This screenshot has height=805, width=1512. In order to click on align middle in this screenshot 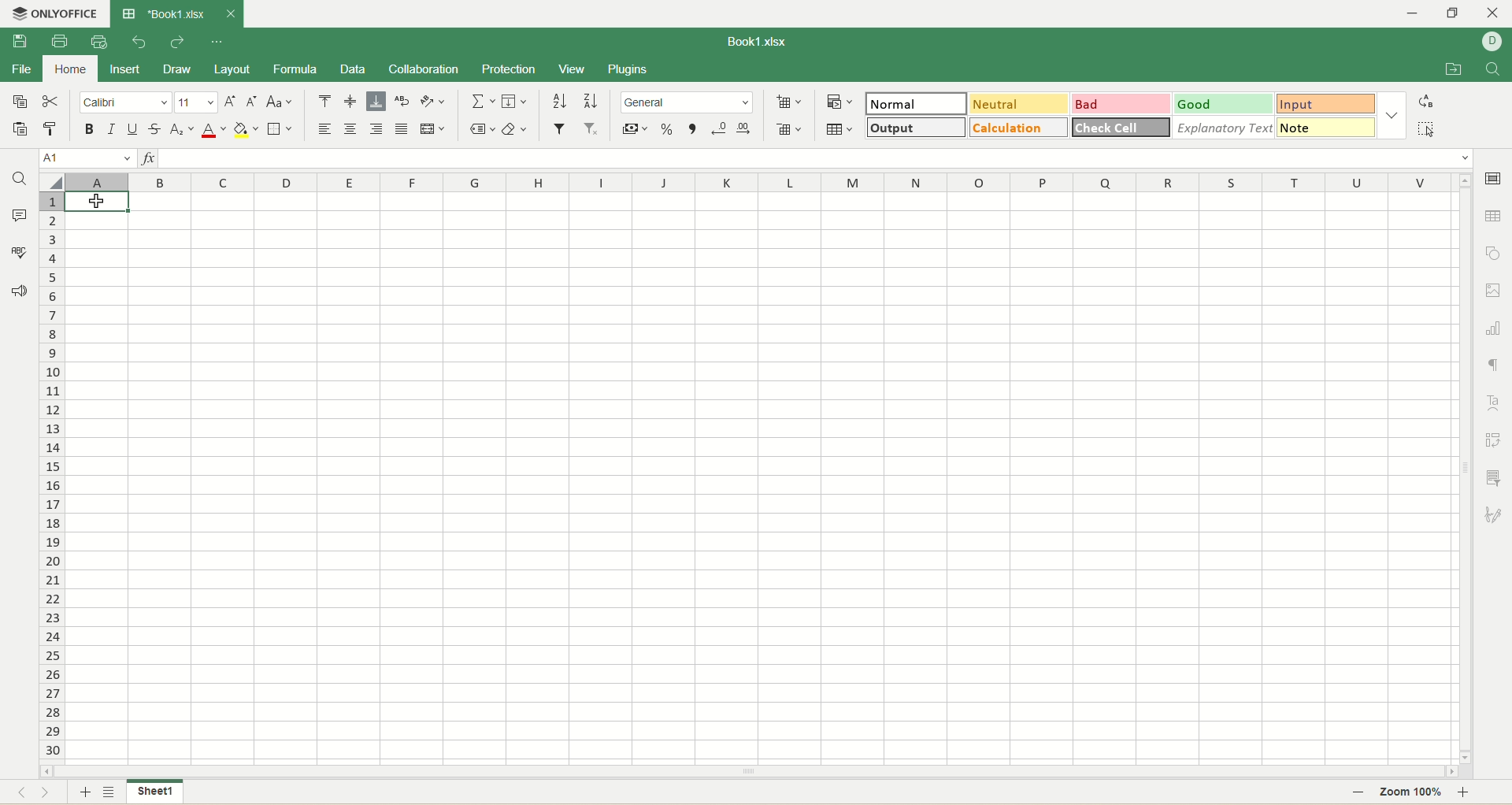, I will do `click(353, 102)`.